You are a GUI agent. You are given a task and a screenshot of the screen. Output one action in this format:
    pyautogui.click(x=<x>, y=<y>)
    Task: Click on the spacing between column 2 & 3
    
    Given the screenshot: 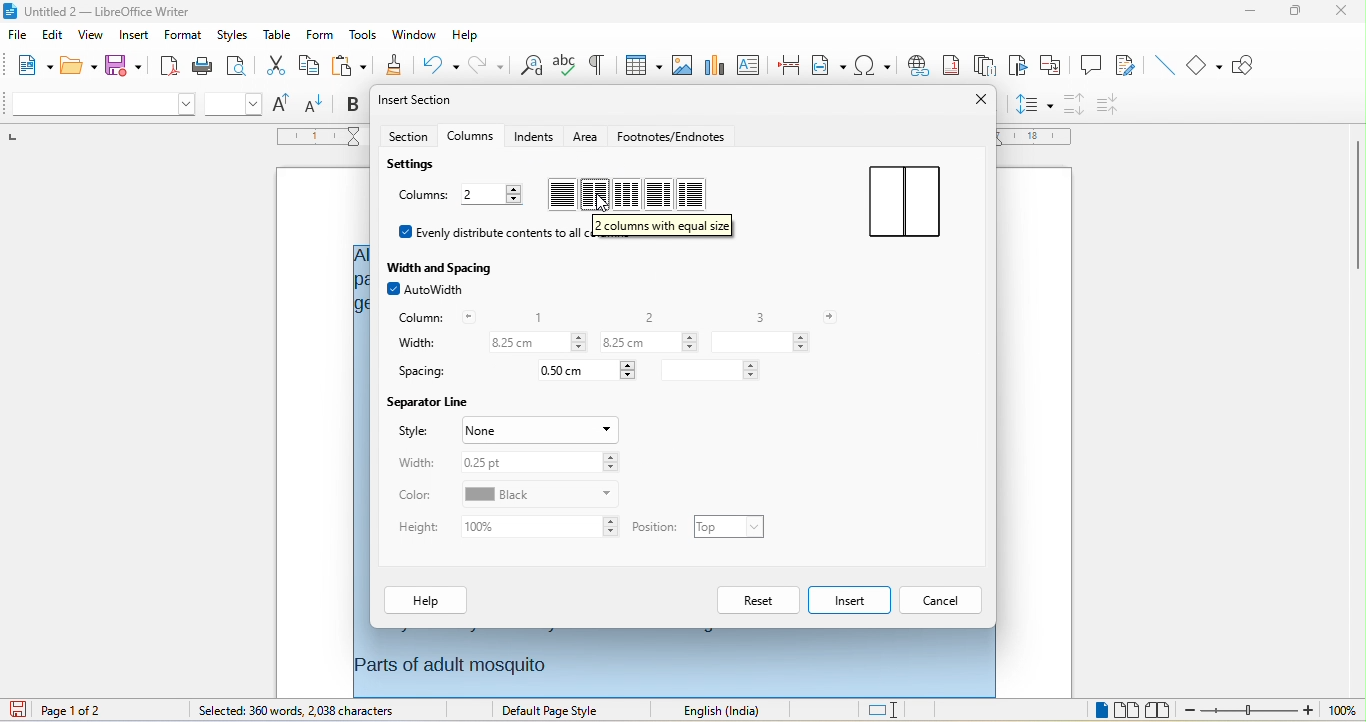 What is the action you would take?
    pyautogui.click(x=711, y=370)
    